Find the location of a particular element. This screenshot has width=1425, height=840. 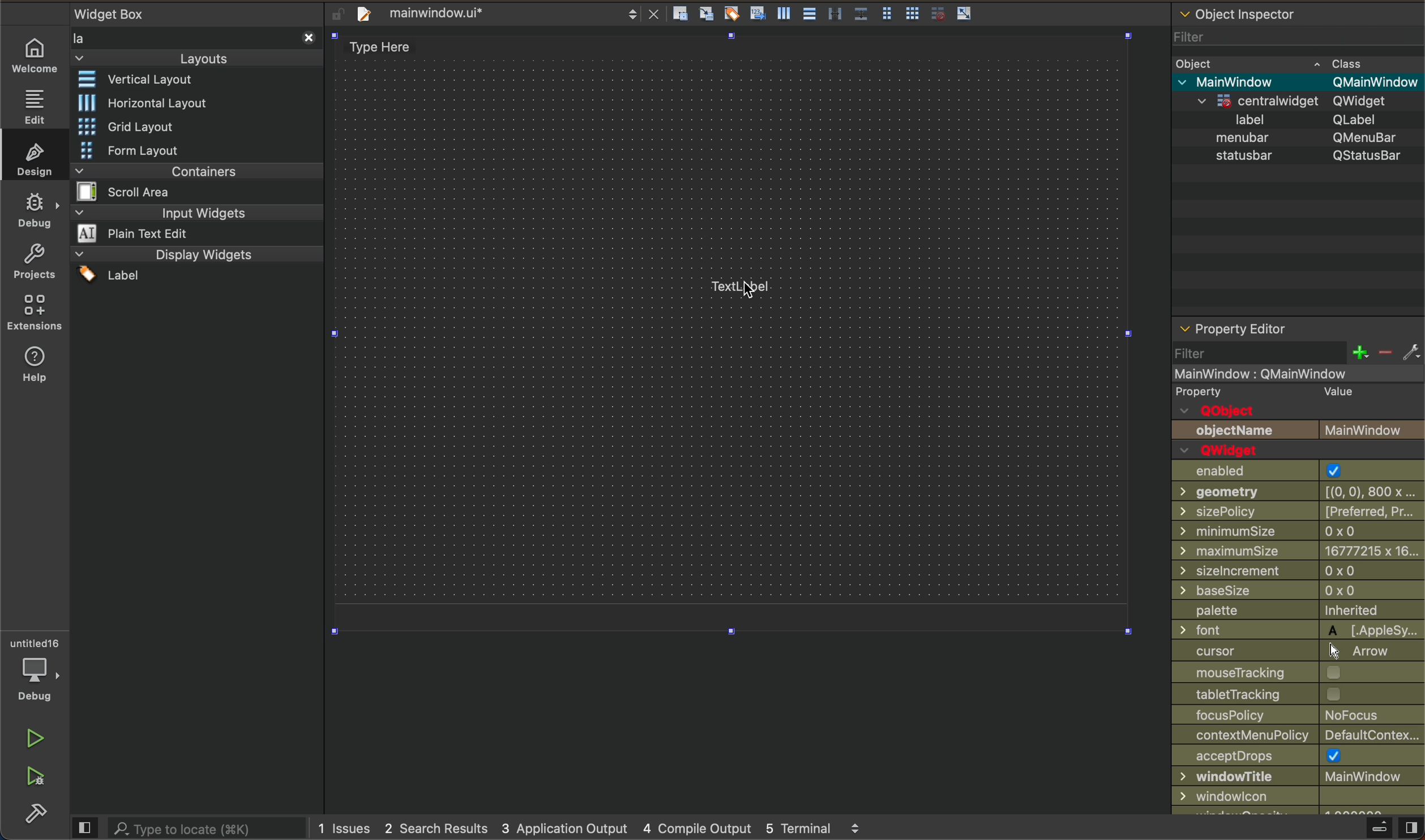

main window is located at coordinates (1297, 83).